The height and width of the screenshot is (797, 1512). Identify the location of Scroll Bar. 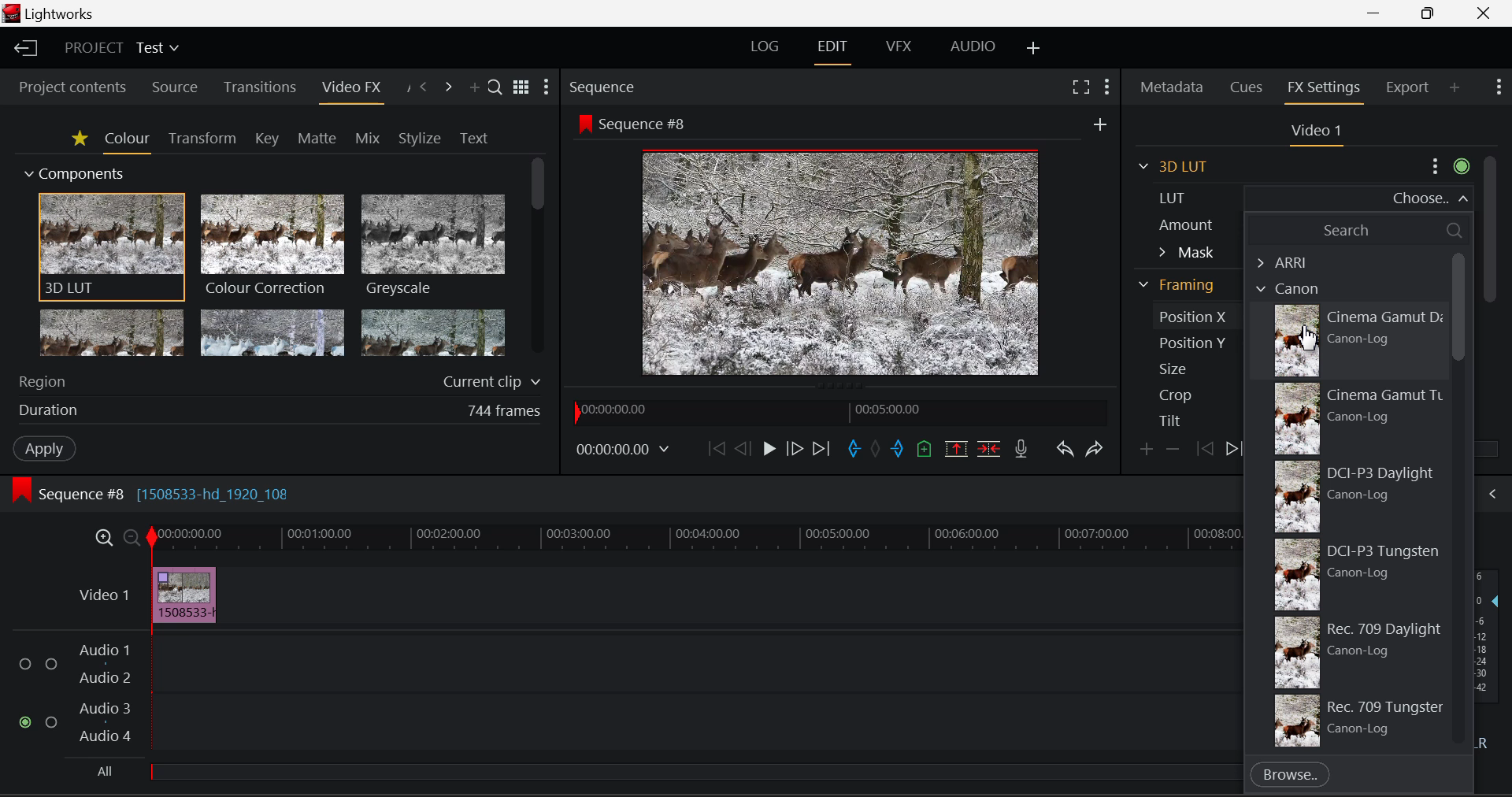
(1457, 495).